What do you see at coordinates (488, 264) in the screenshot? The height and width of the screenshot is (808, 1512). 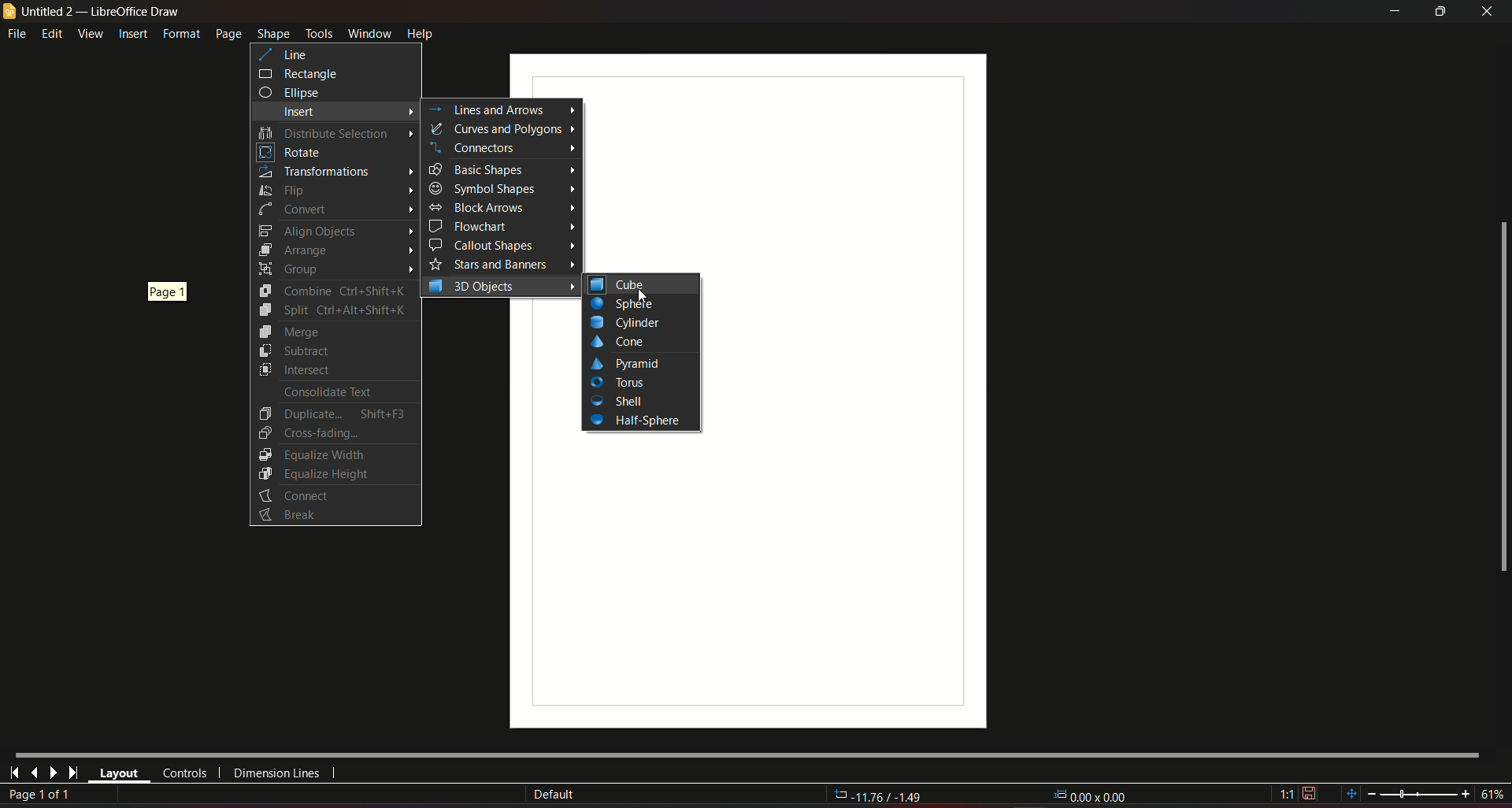 I see `Stars and Banners` at bounding box center [488, 264].